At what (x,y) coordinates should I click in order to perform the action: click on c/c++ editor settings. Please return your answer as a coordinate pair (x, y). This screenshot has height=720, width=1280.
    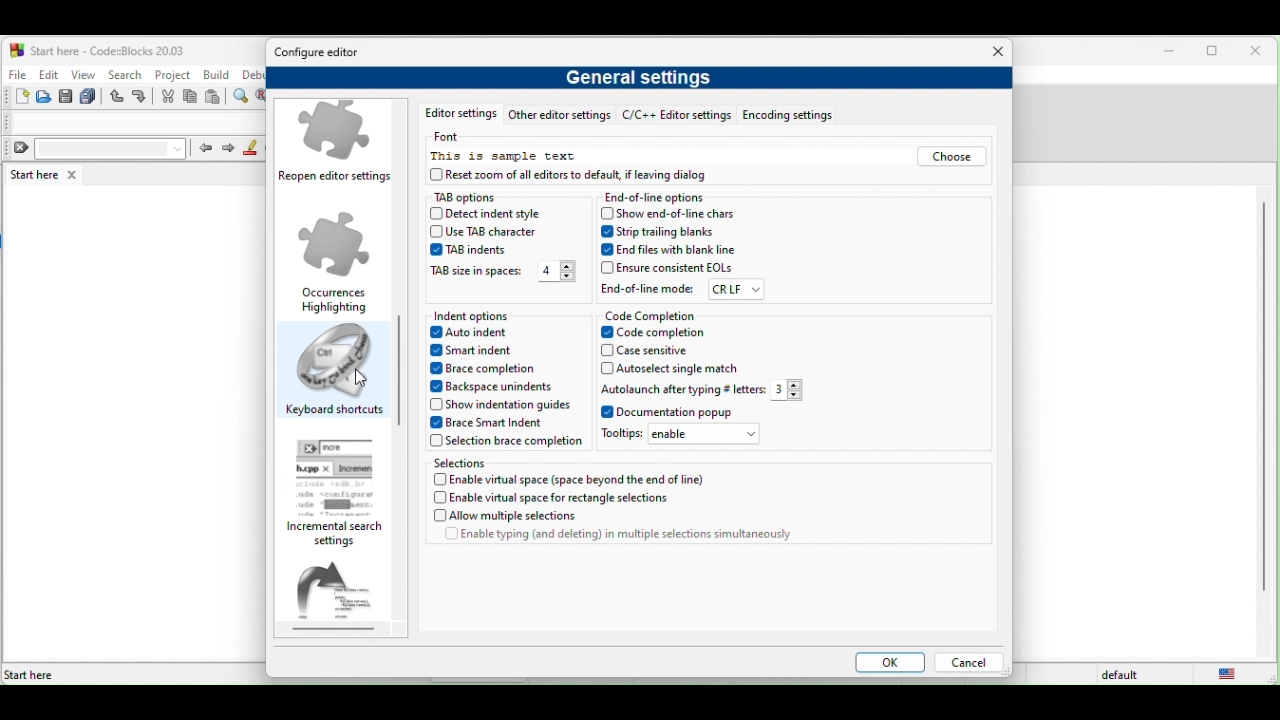
    Looking at the image, I should click on (676, 117).